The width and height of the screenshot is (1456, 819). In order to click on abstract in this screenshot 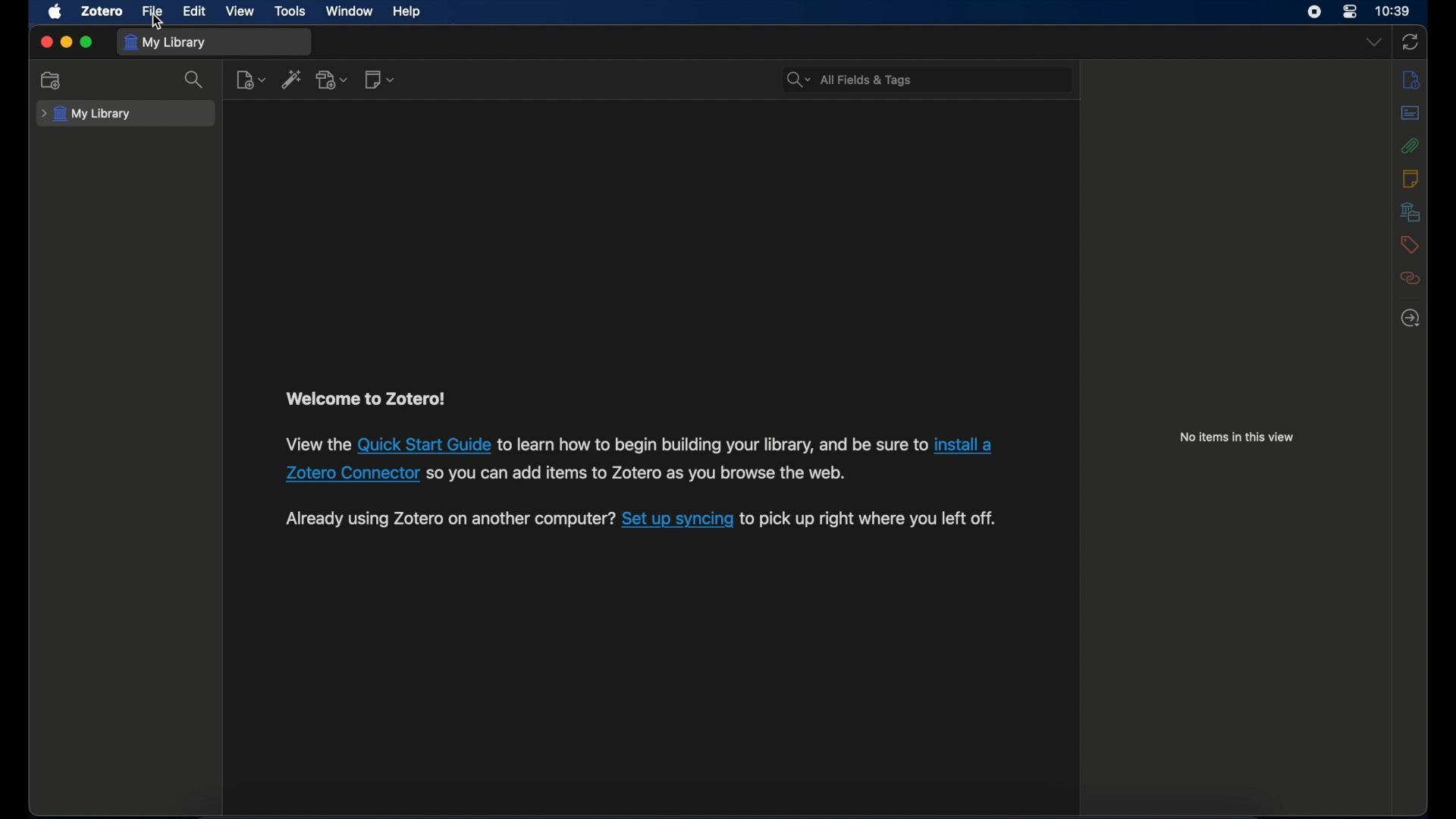, I will do `click(1410, 112)`.